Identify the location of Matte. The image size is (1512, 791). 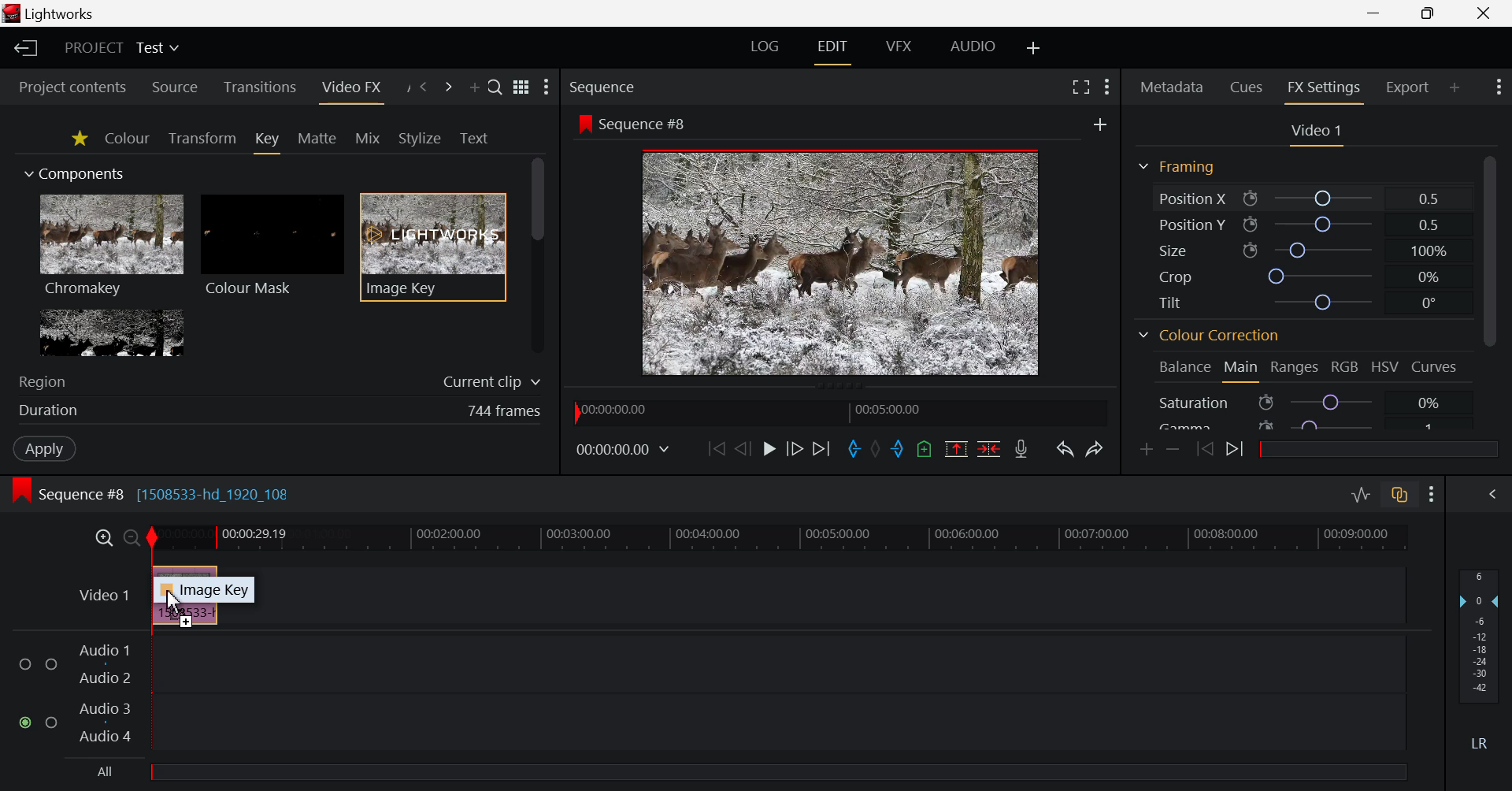
(320, 139).